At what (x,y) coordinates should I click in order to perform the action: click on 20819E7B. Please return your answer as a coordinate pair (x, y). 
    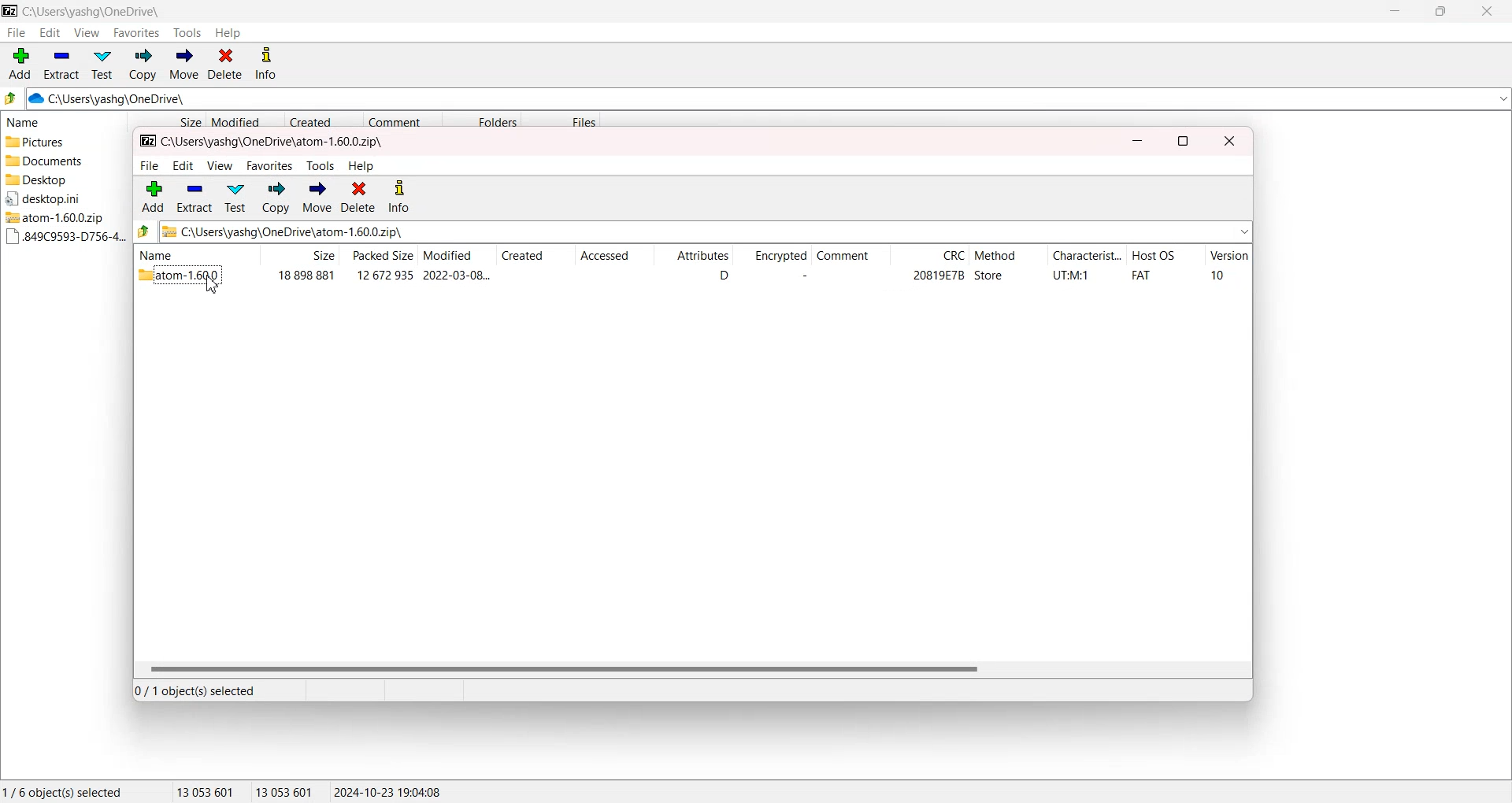
    Looking at the image, I should click on (938, 276).